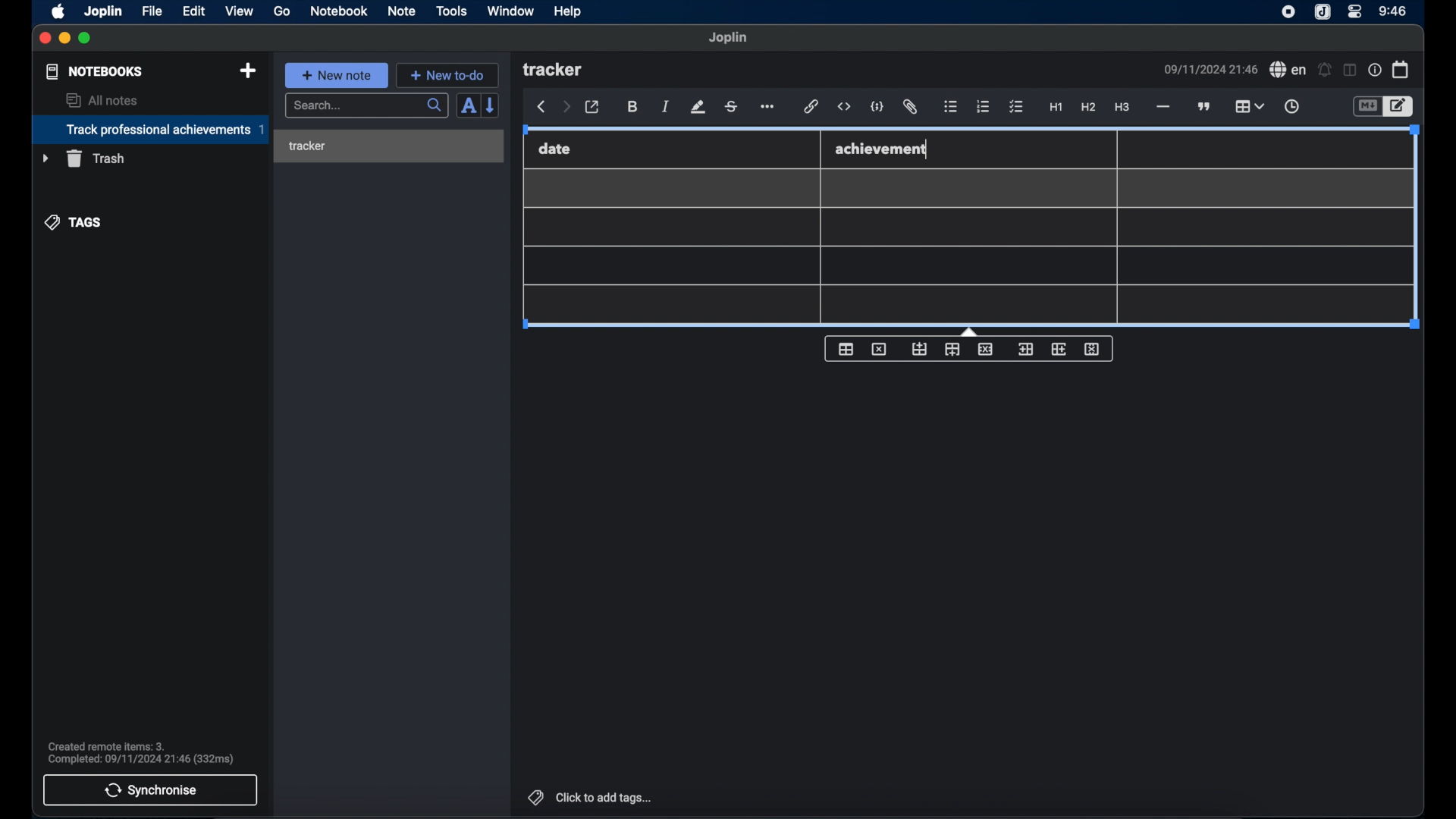 This screenshot has width=1456, height=819. I want to click on minimize, so click(65, 39).